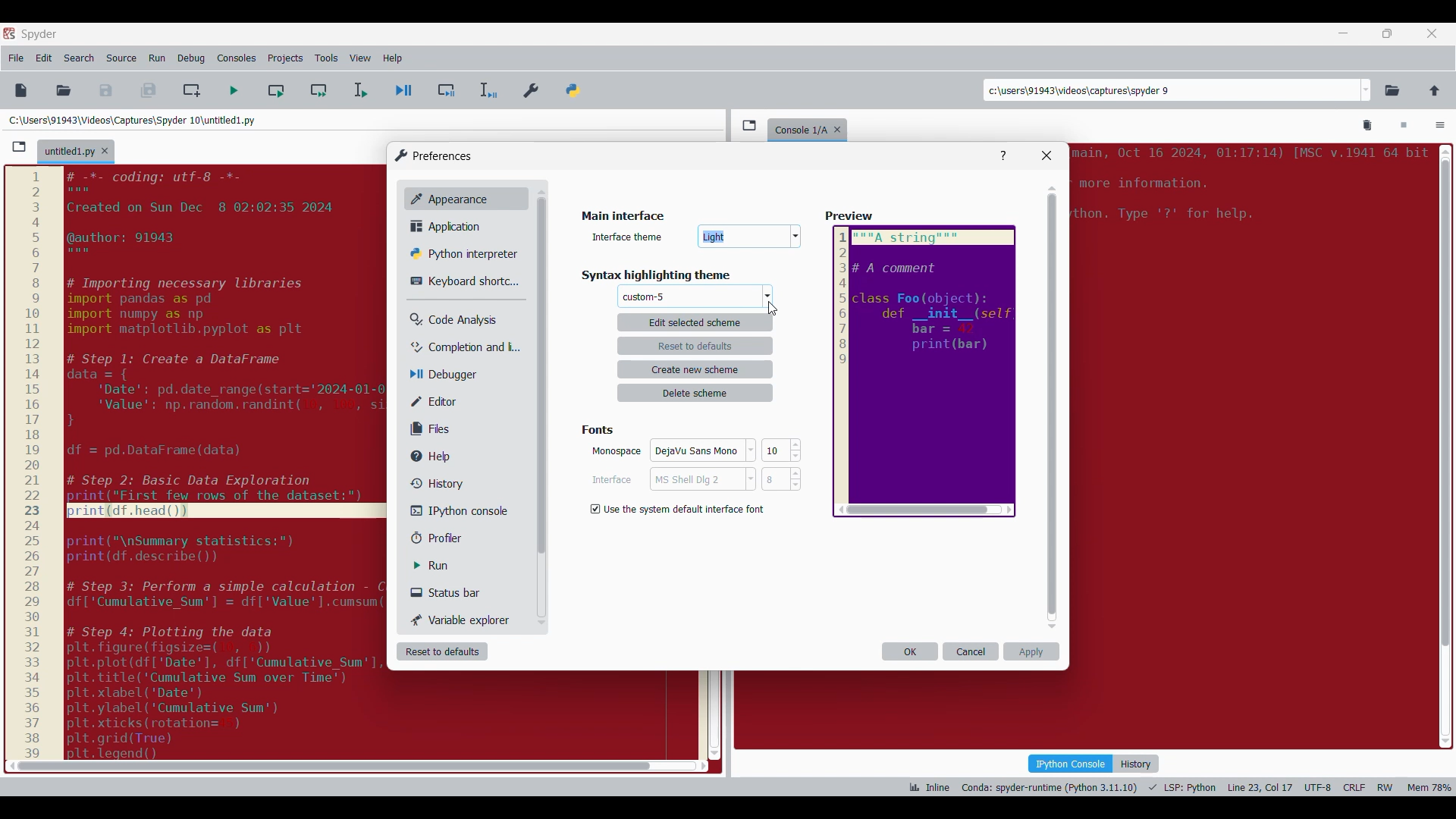 The image size is (1456, 819). What do you see at coordinates (450, 226) in the screenshot?
I see `Application` at bounding box center [450, 226].